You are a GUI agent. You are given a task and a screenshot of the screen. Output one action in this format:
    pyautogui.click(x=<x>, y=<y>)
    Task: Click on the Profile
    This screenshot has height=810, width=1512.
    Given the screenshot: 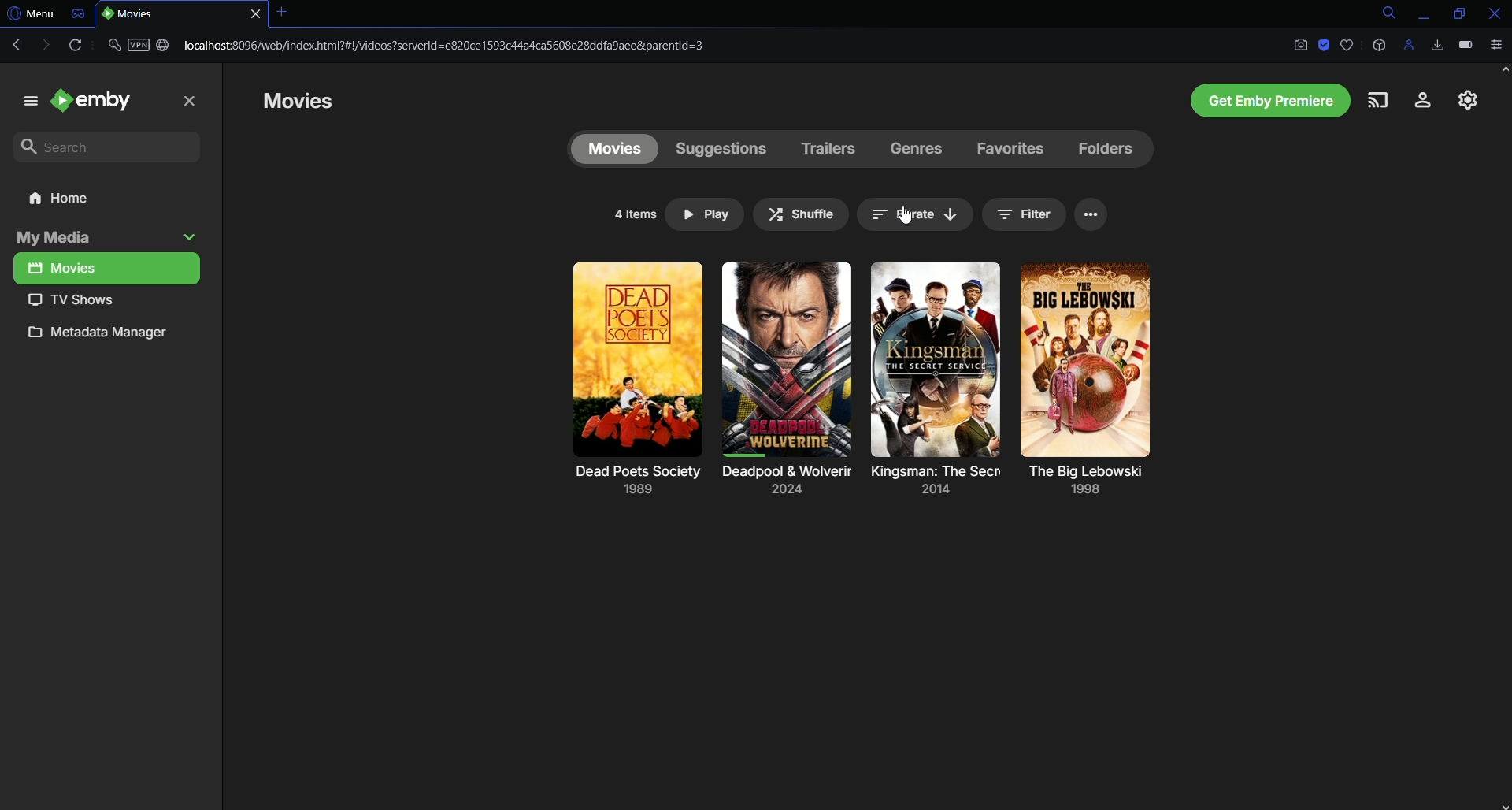 What is the action you would take?
    pyautogui.click(x=1410, y=46)
    